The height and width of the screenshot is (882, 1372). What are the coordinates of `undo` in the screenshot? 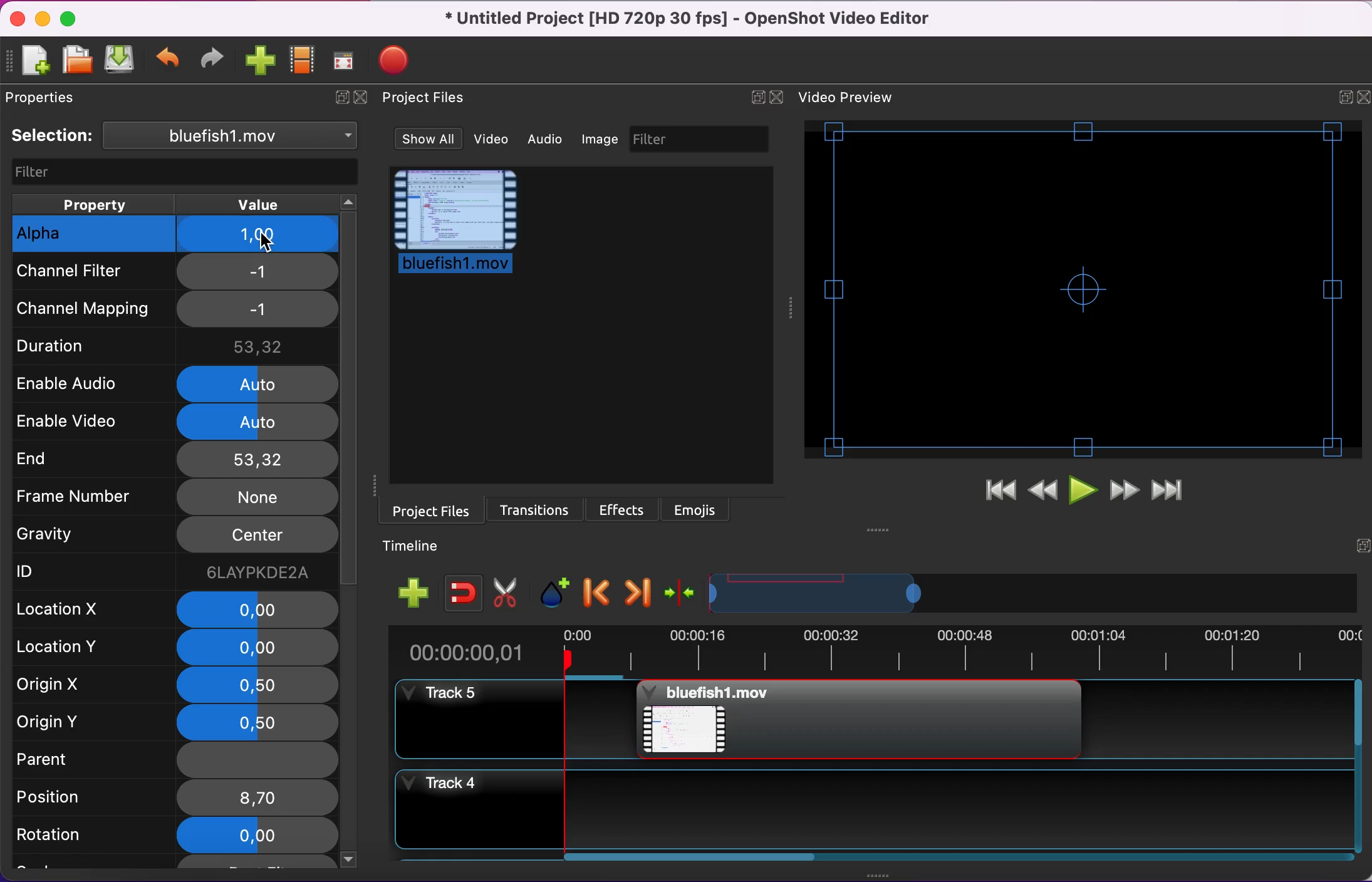 It's located at (167, 63).